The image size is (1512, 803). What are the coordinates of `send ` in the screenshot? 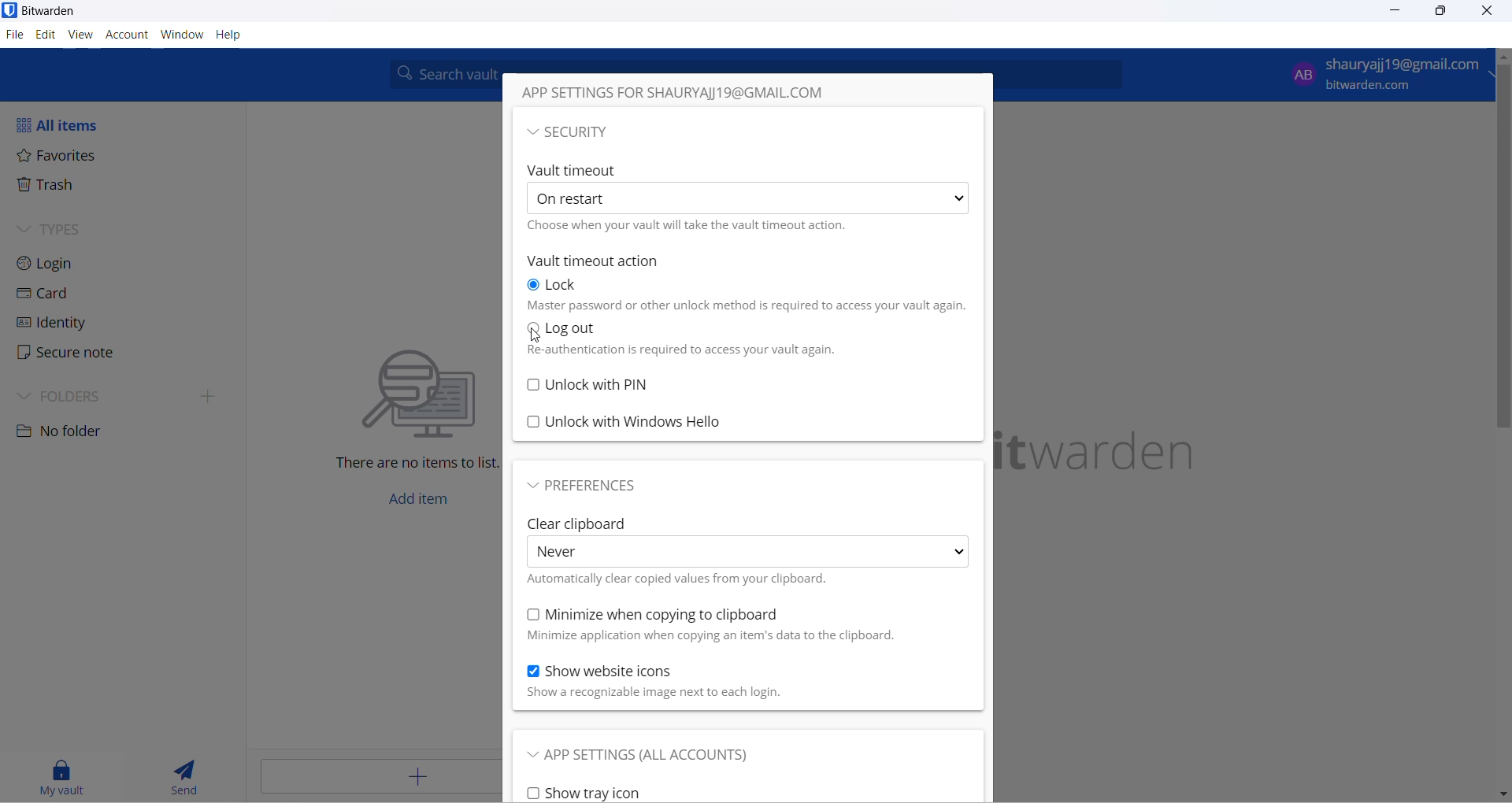 It's located at (185, 776).